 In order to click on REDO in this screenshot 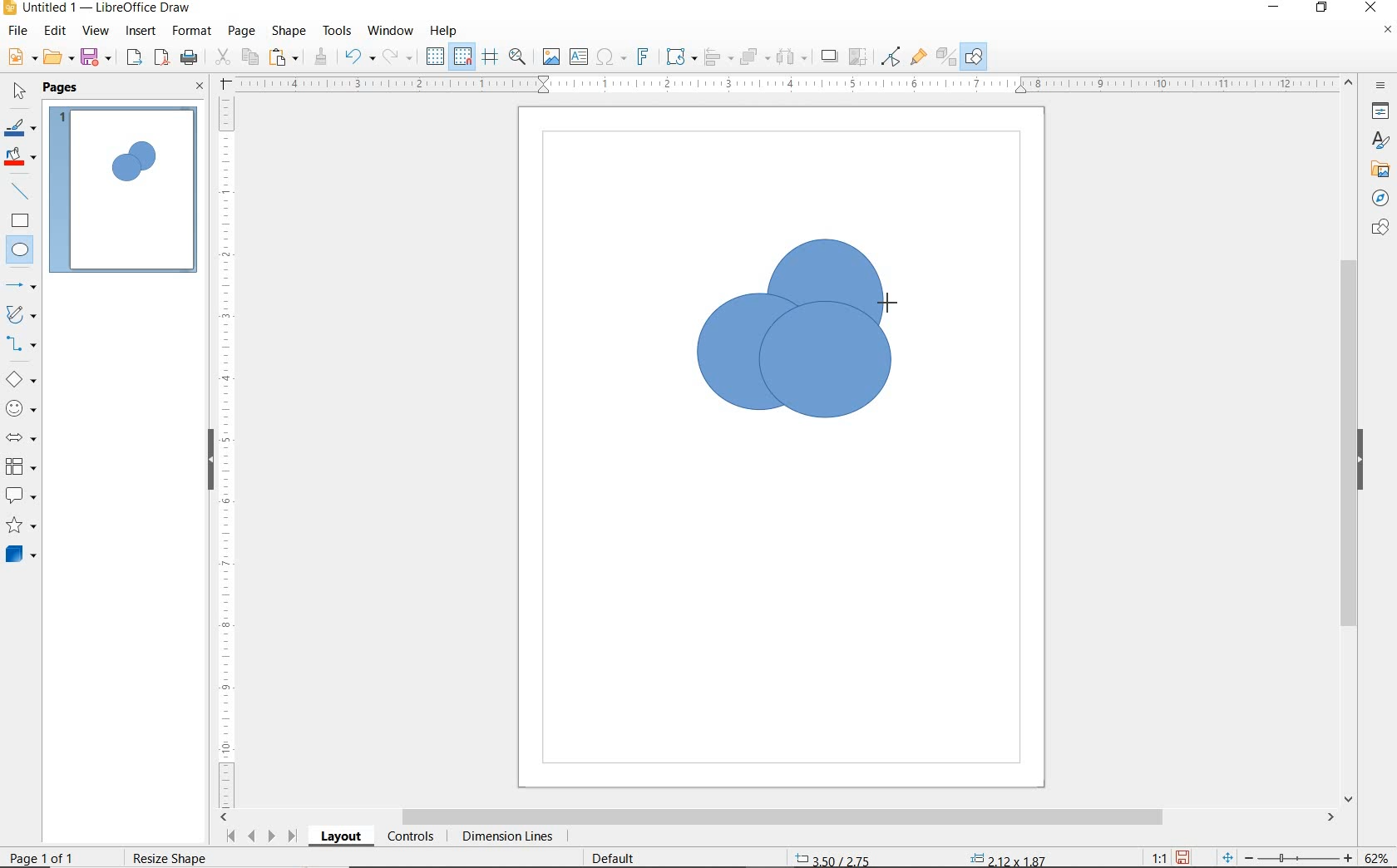, I will do `click(398, 57)`.